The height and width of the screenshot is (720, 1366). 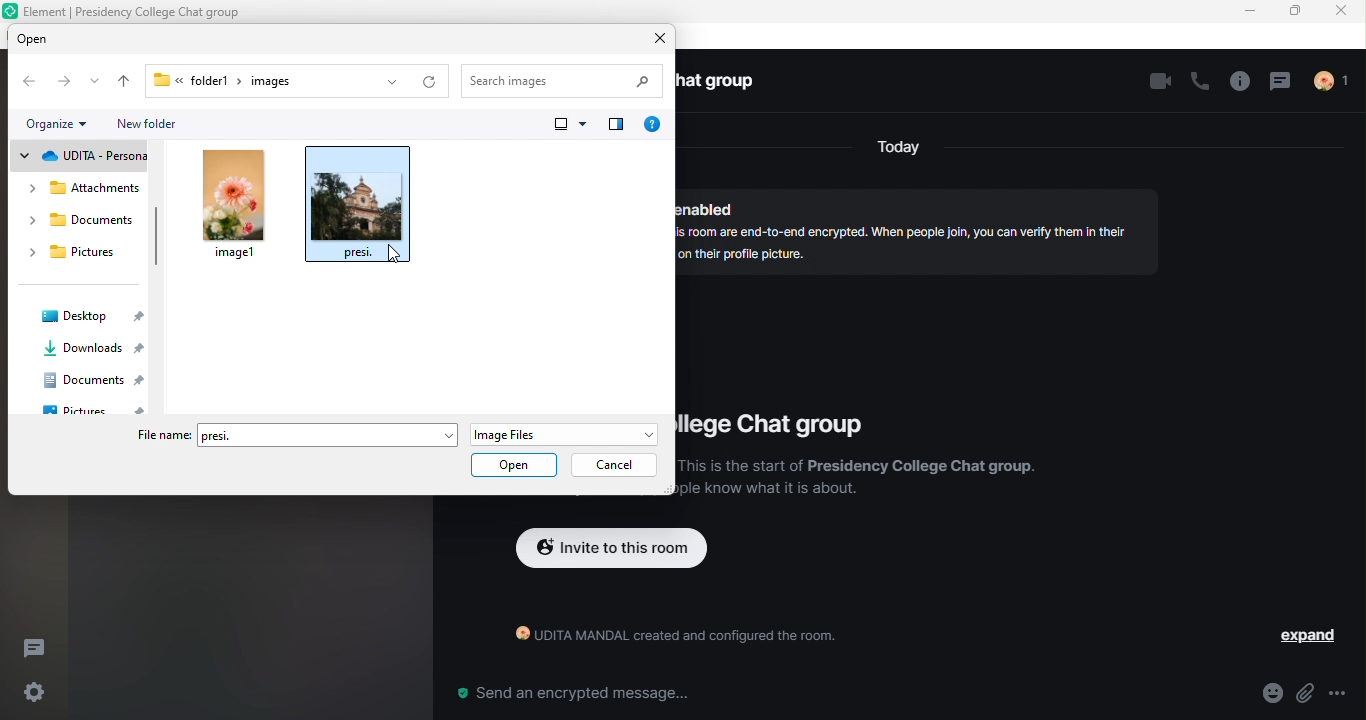 What do you see at coordinates (140, 10) in the screenshot?
I see `Element | Presidency College Chat group` at bounding box center [140, 10].